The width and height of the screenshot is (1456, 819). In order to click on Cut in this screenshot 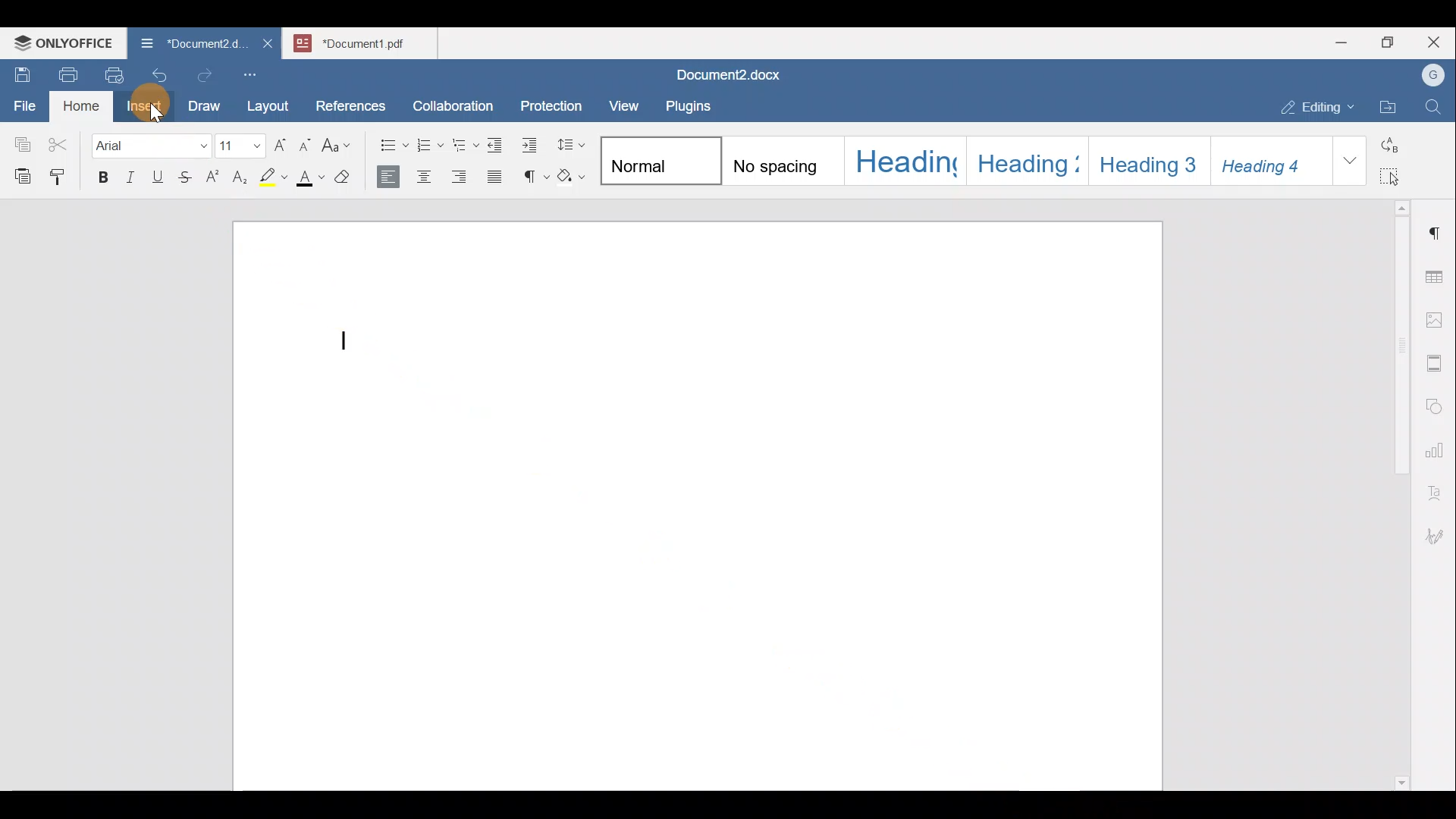, I will do `click(64, 141)`.